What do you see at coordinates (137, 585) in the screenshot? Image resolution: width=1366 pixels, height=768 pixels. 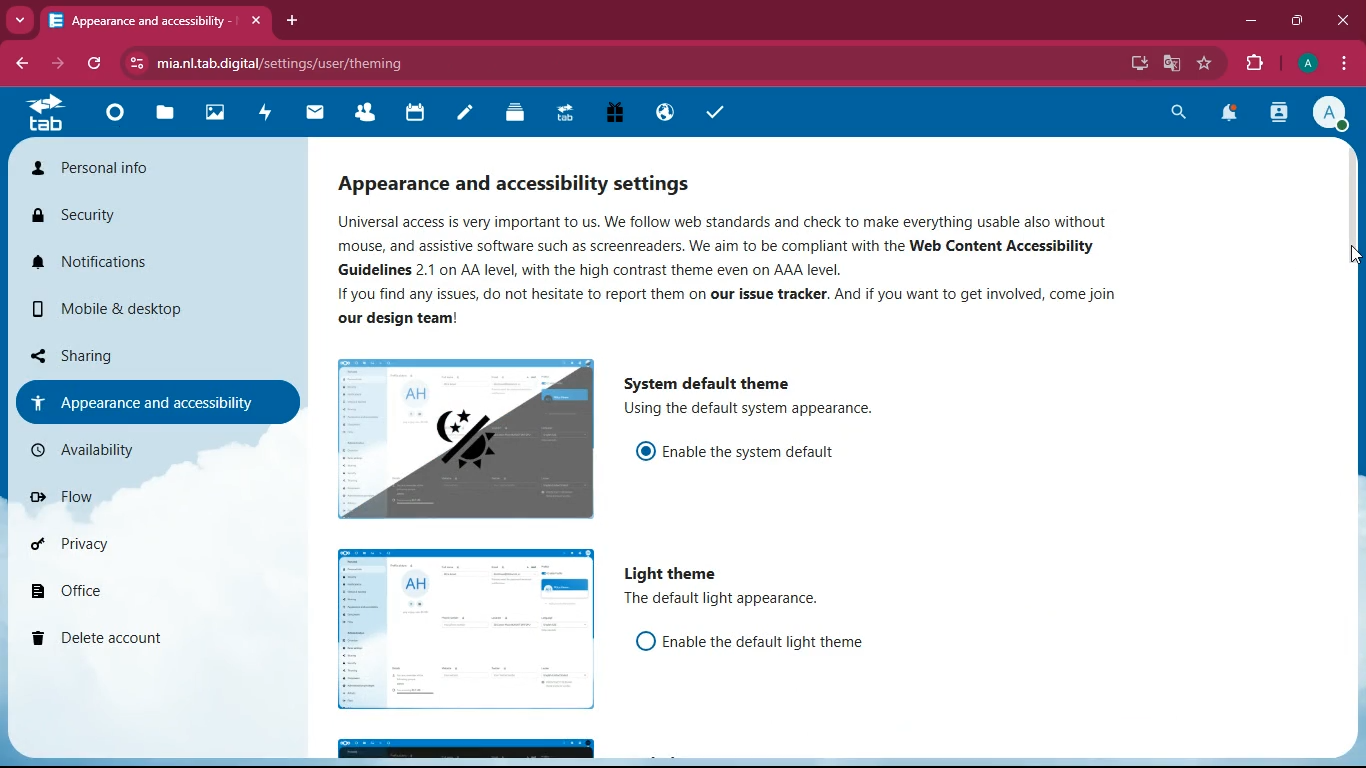 I see `office` at bounding box center [137, 585].